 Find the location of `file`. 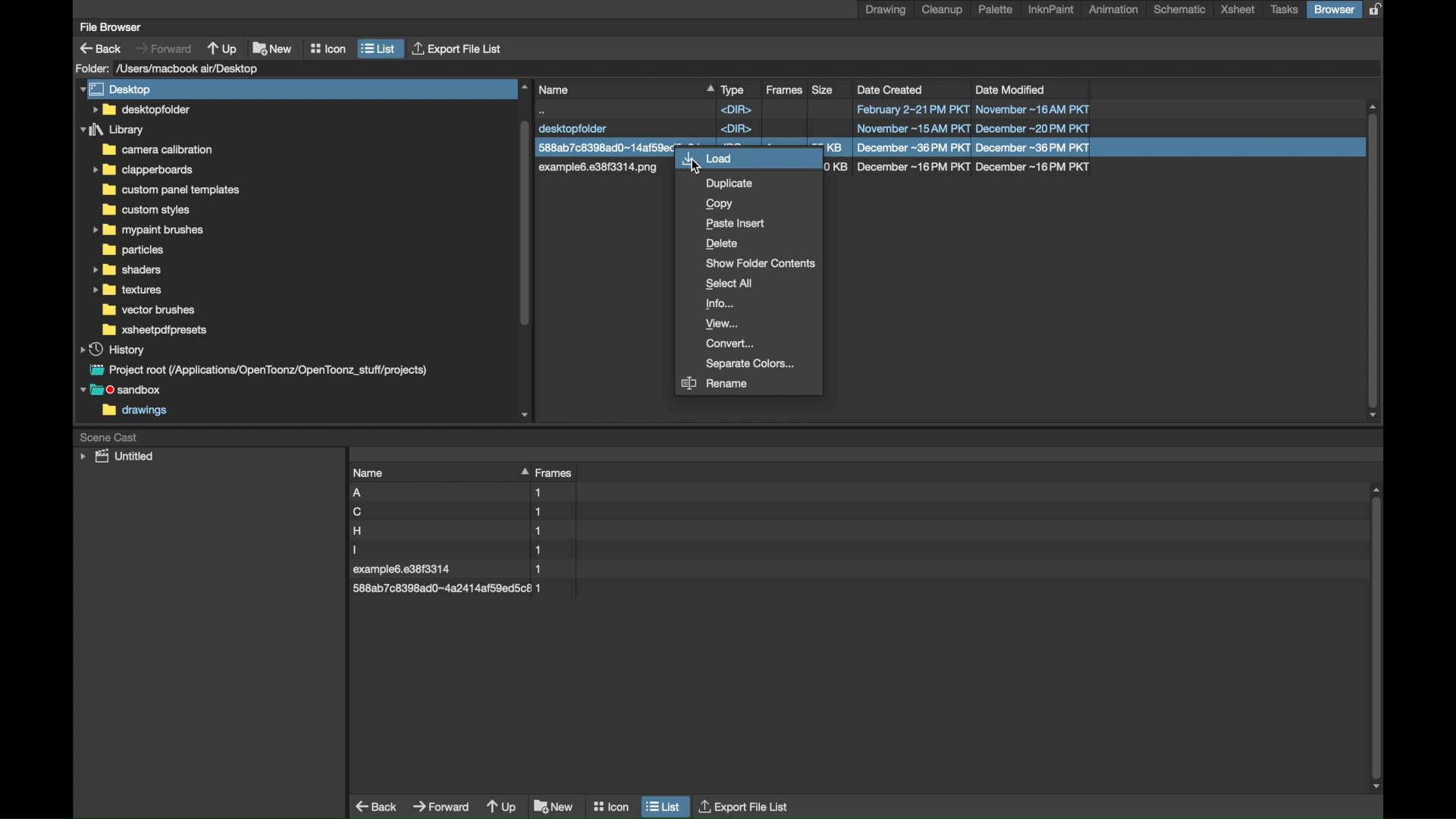

file is located at coordinates (453, 570).